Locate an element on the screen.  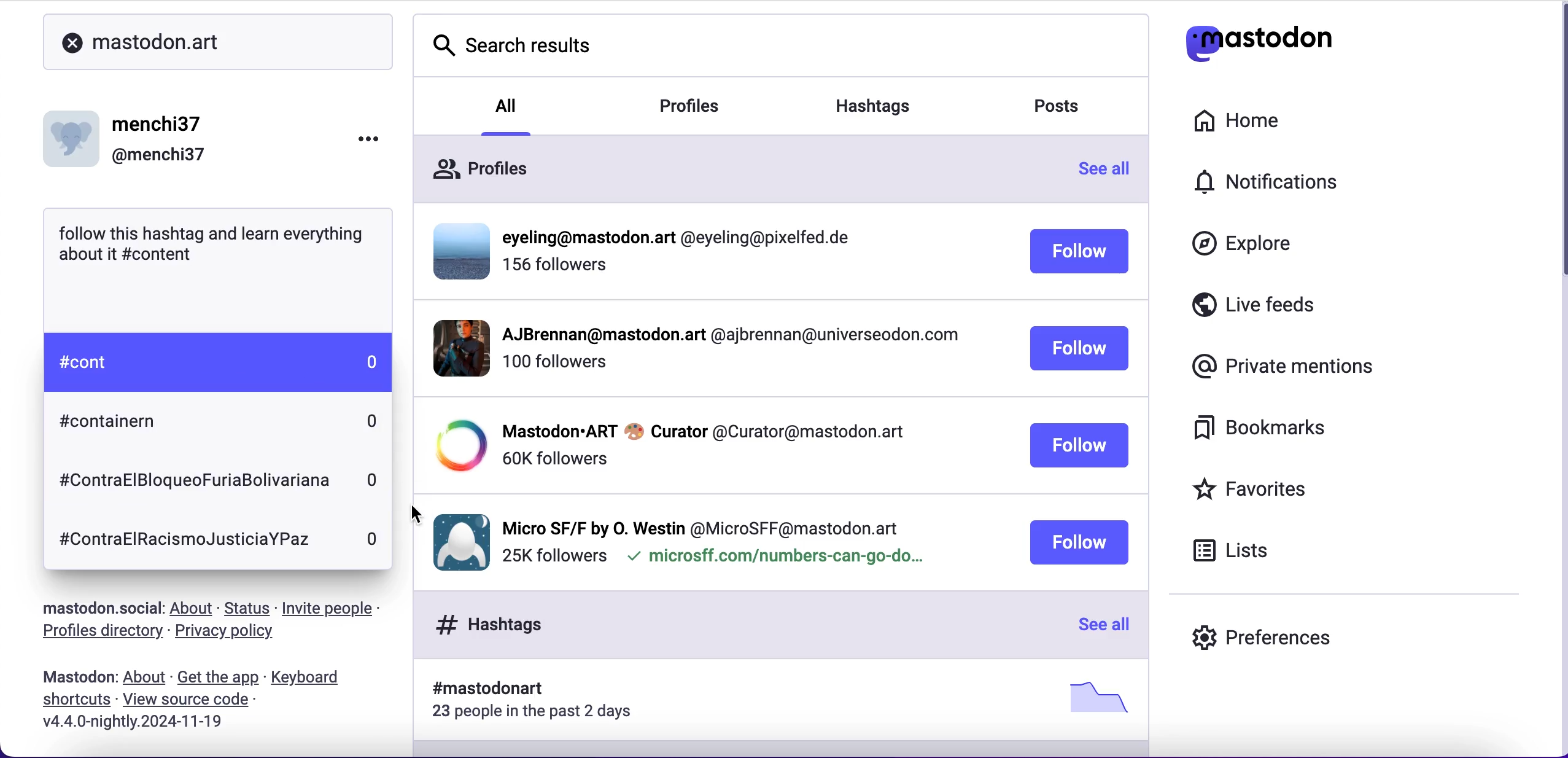
follow is located at coordinates (1078, 542).